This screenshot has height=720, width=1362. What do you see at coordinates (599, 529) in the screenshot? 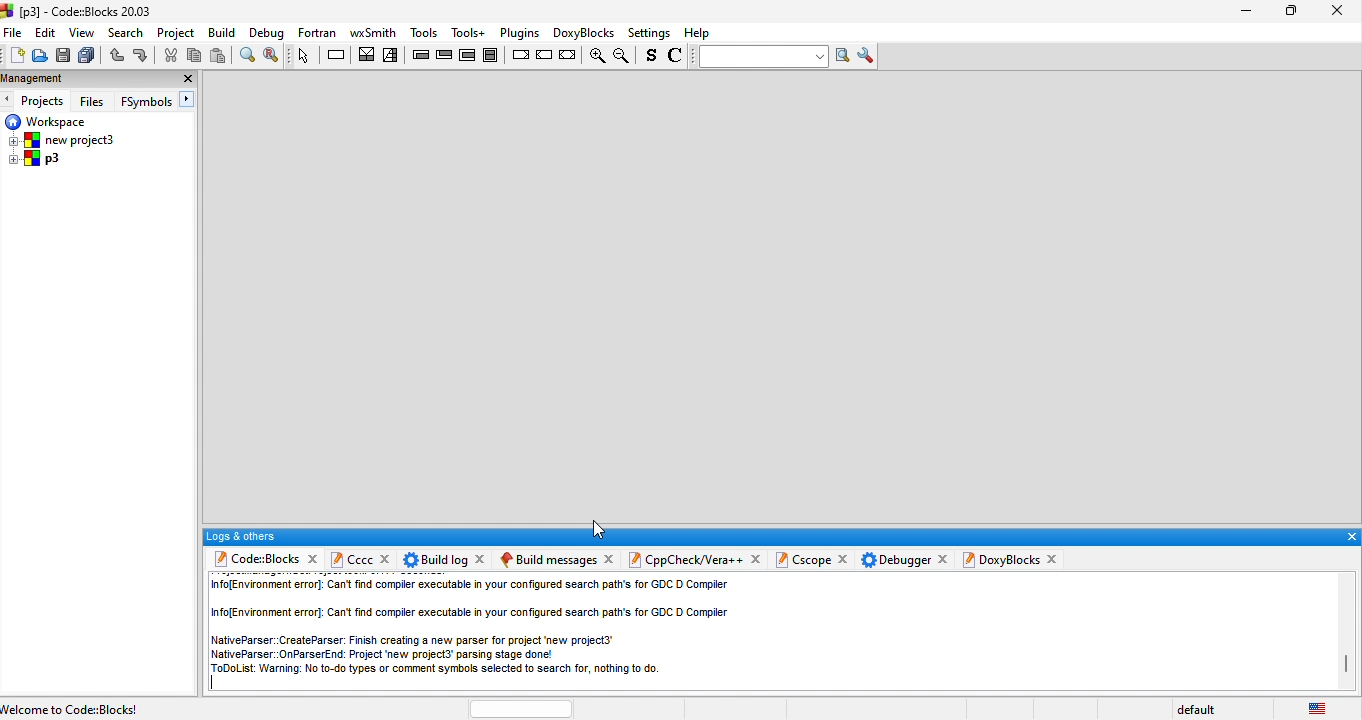
I see `cursor` at bounding box center [599, 529].